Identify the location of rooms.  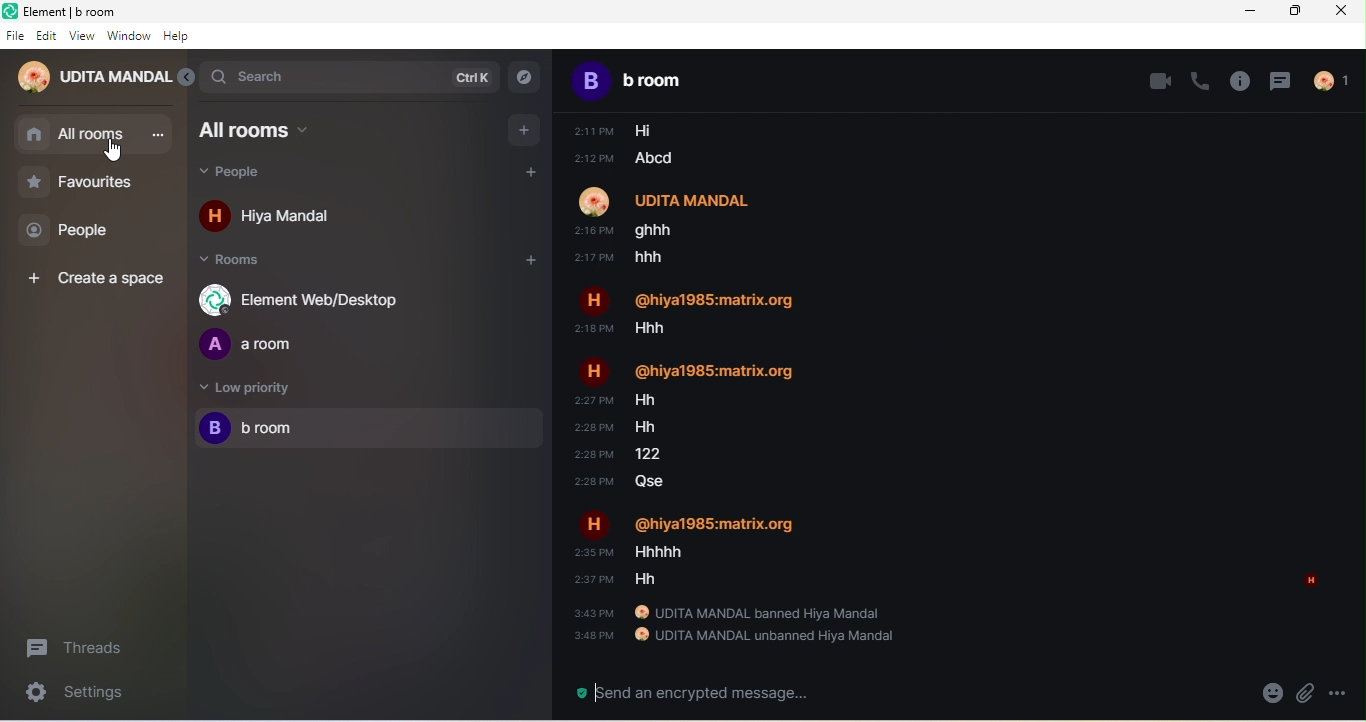
(240, 263).